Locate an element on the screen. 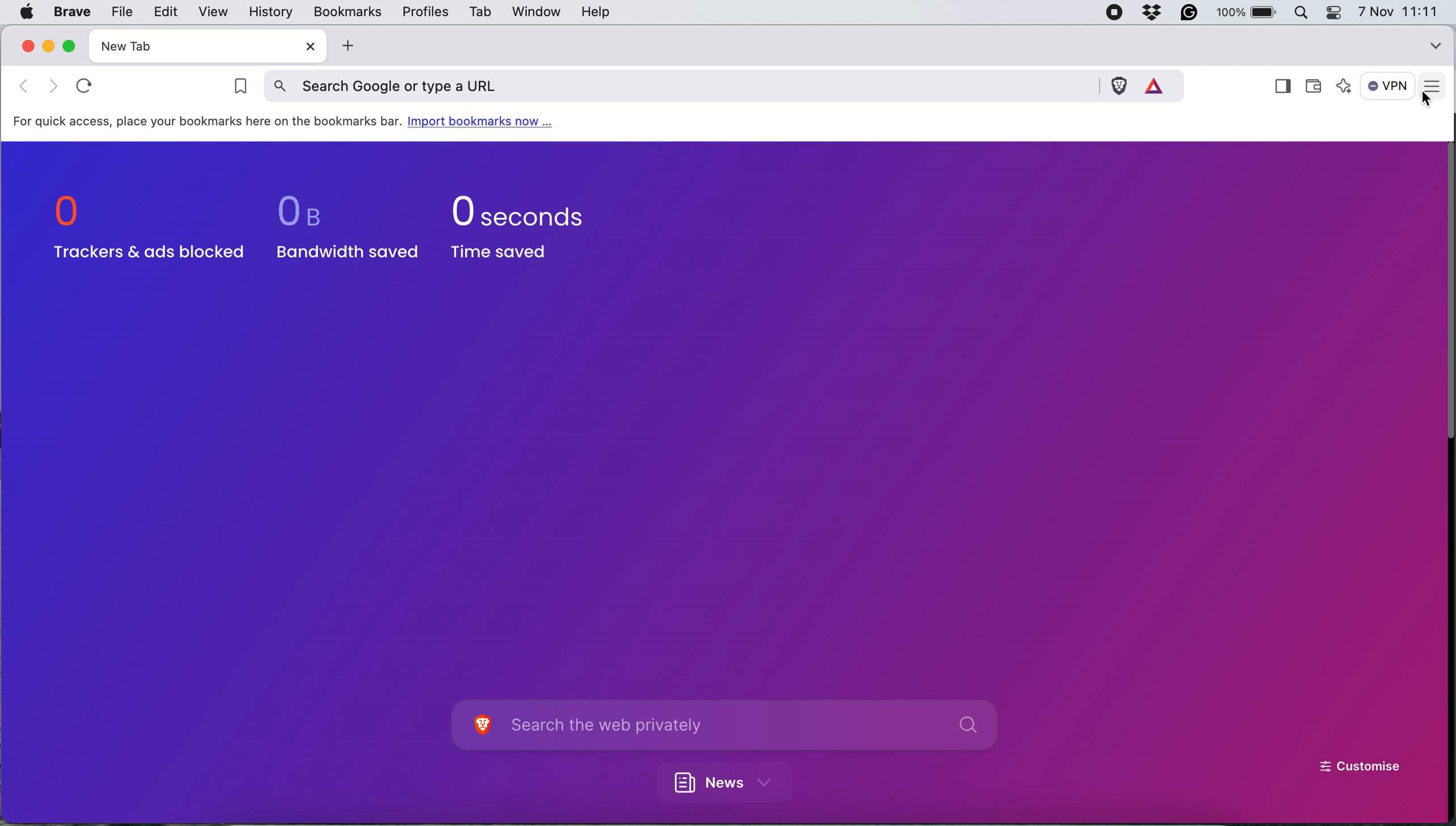 The width and height of the screenshot is (1456, 826). vpn is located at coordinates (1389, 86).